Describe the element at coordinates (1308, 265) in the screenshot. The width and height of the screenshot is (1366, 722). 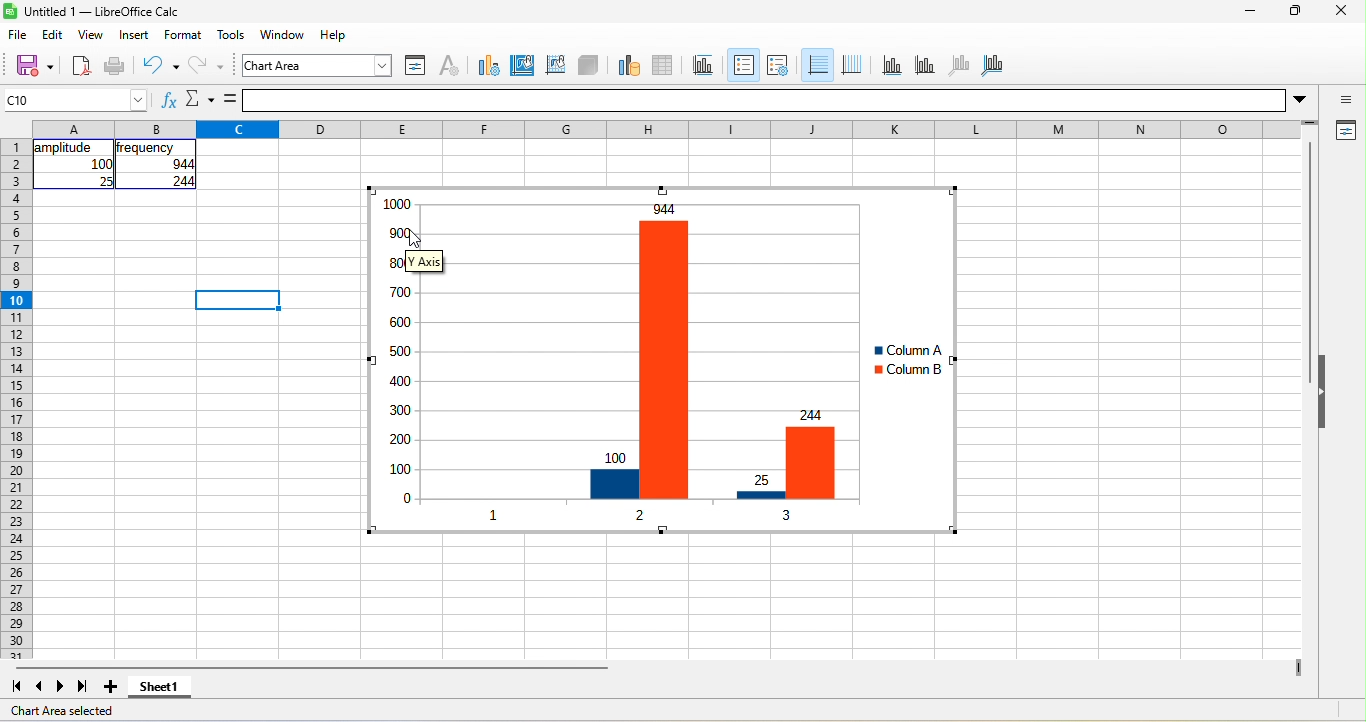
I see `vertical scroll bar` at that location.